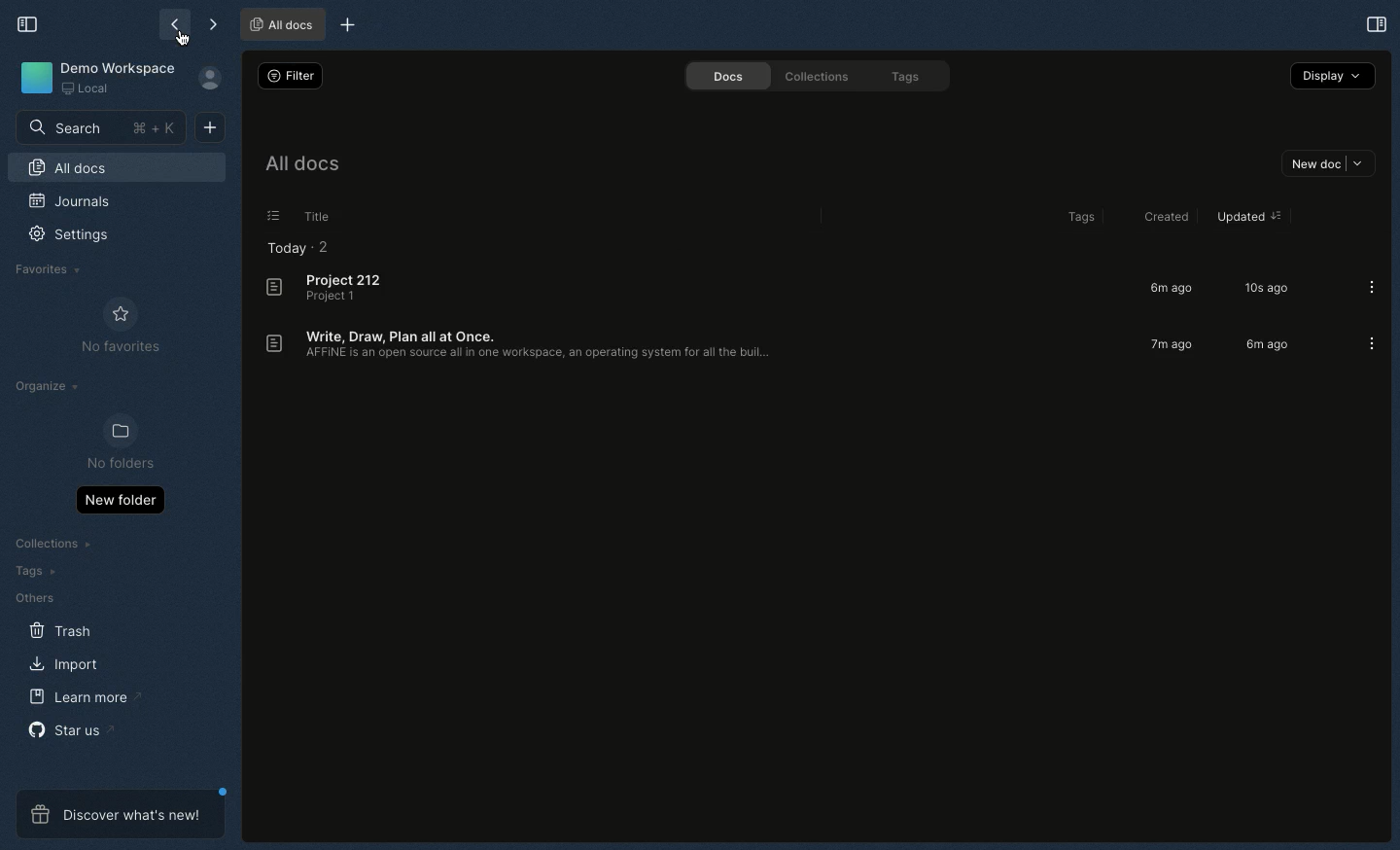 This screenshot has height=850, width=1400. Describe the element at coordinates (60, 661) in the screenshot. I see `Import` at that location.